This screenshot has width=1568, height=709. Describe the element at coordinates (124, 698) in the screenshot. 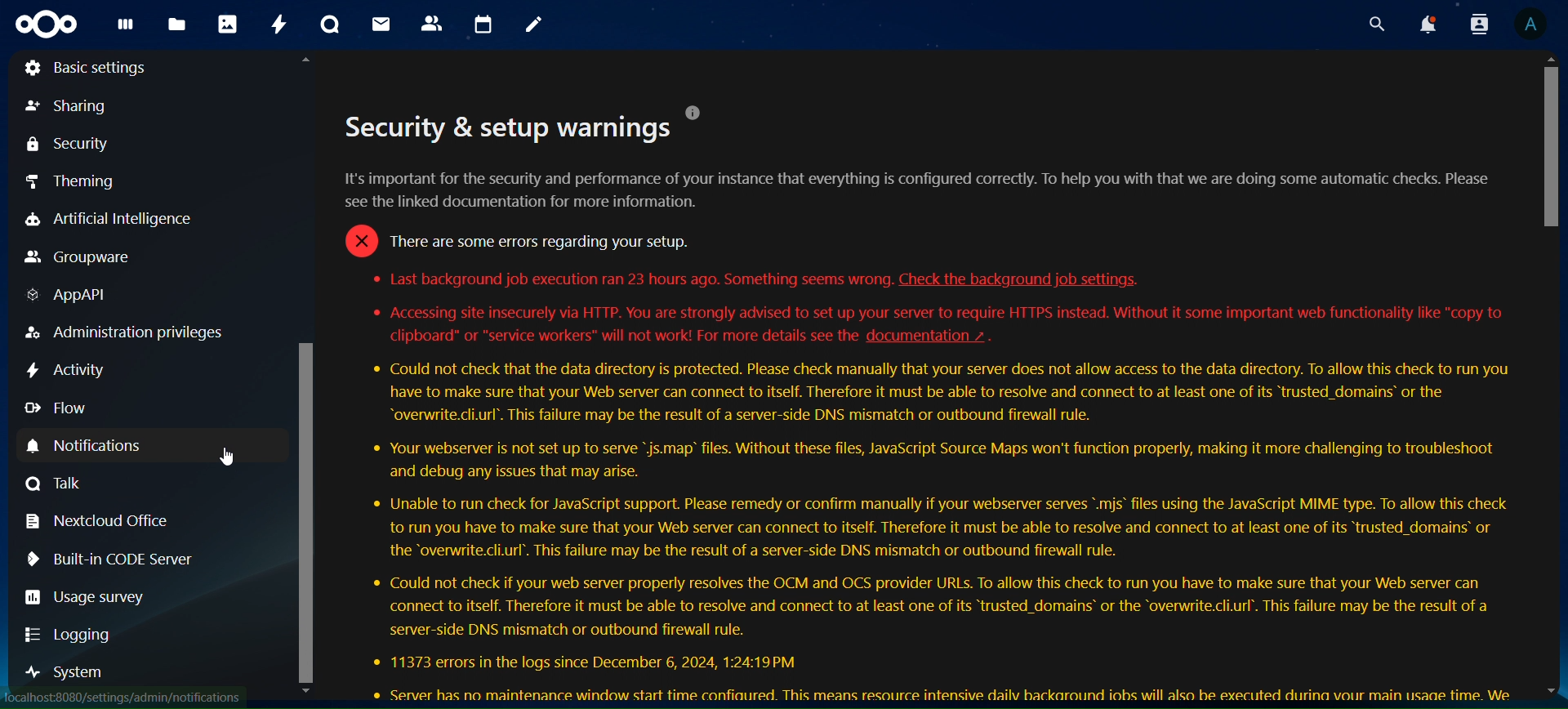

I see `Url` at that location.